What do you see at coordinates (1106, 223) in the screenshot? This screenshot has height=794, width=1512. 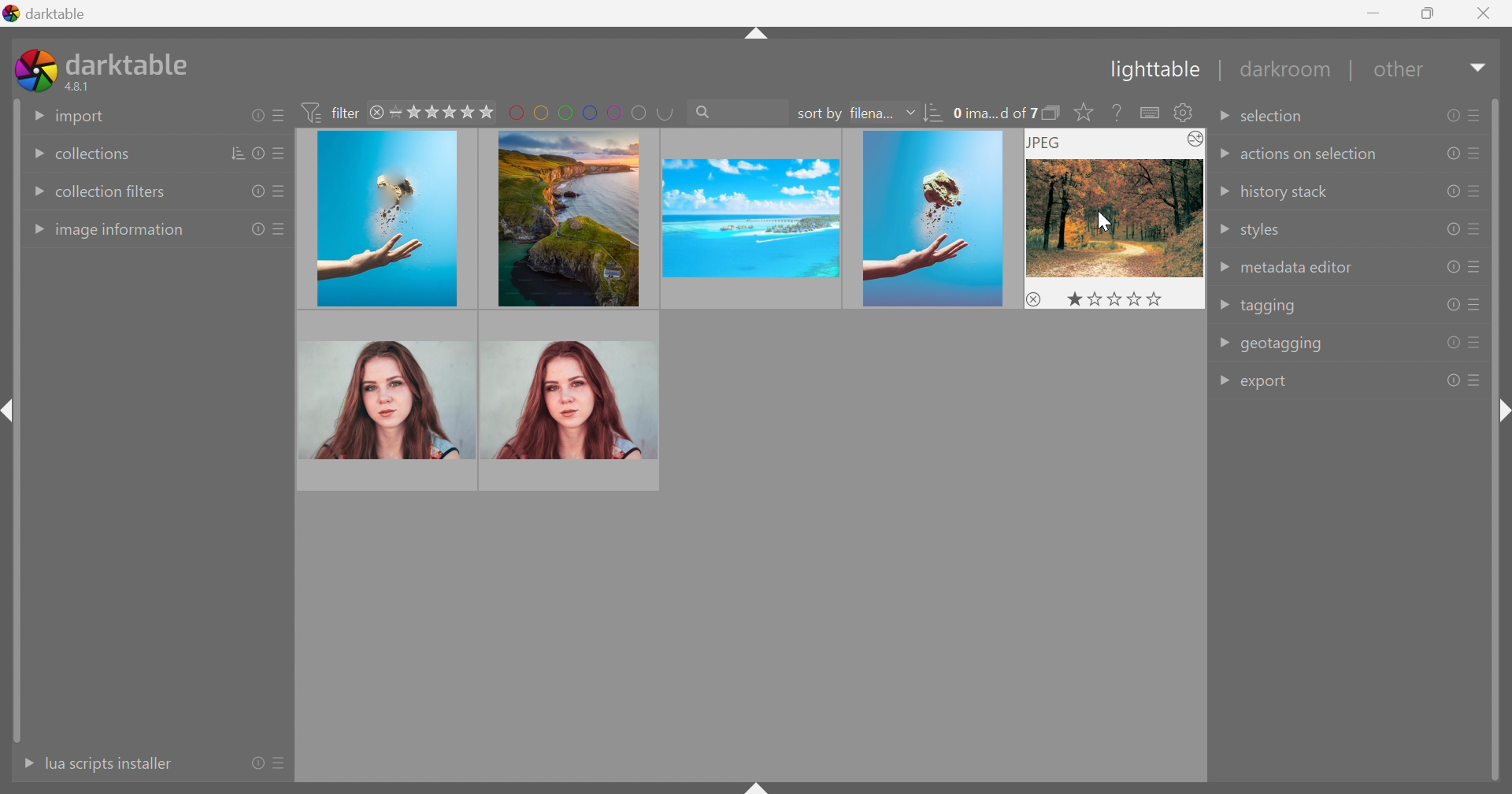 I see `cursor` at bounding box center [1106, 223].